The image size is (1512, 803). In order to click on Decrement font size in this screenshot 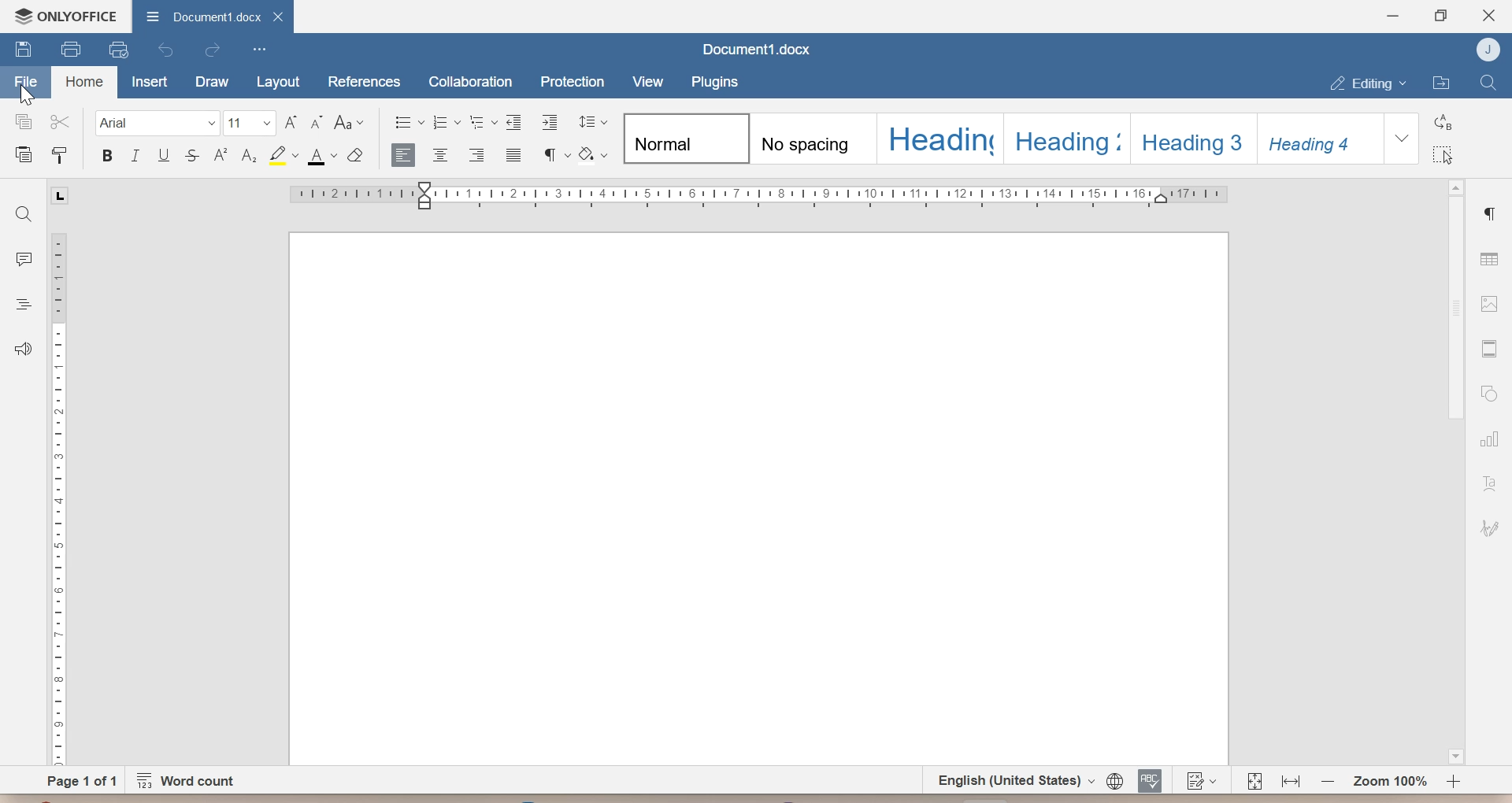, I will do `click(319, 124)`.